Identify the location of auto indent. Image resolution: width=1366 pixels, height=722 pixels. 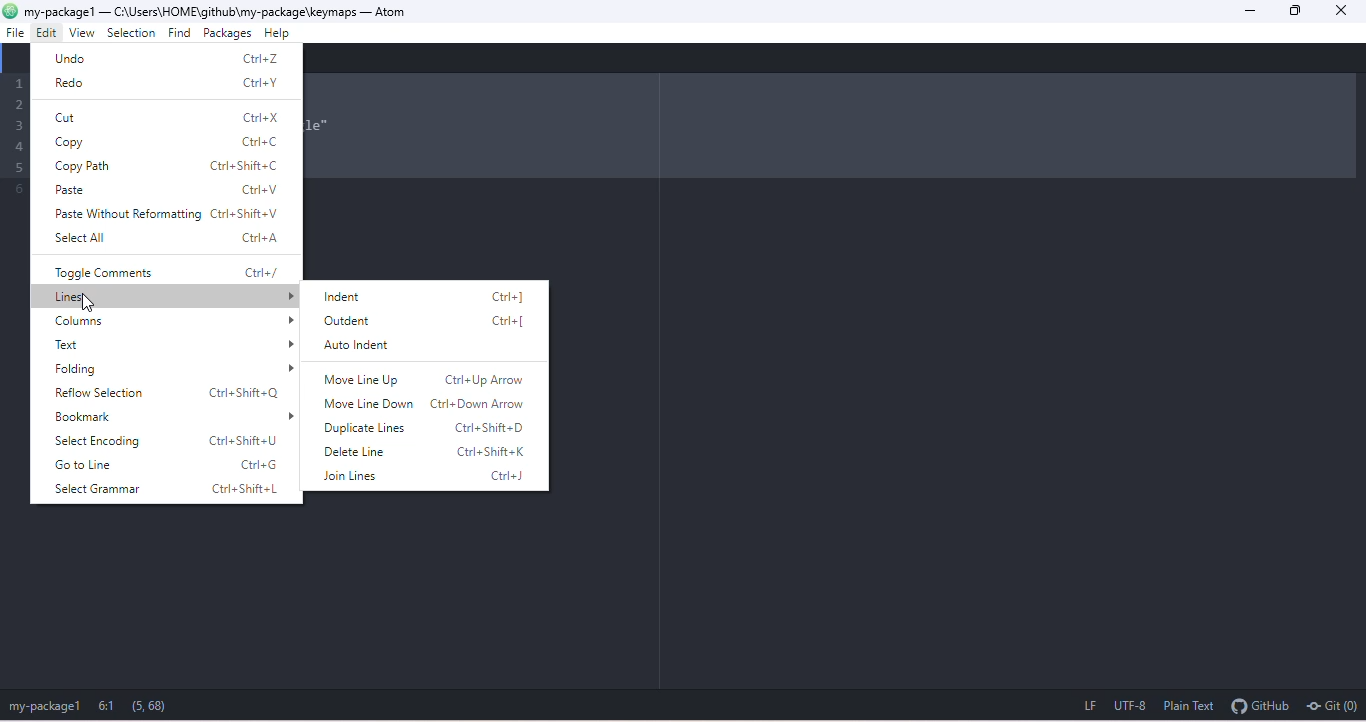
(426, 344).